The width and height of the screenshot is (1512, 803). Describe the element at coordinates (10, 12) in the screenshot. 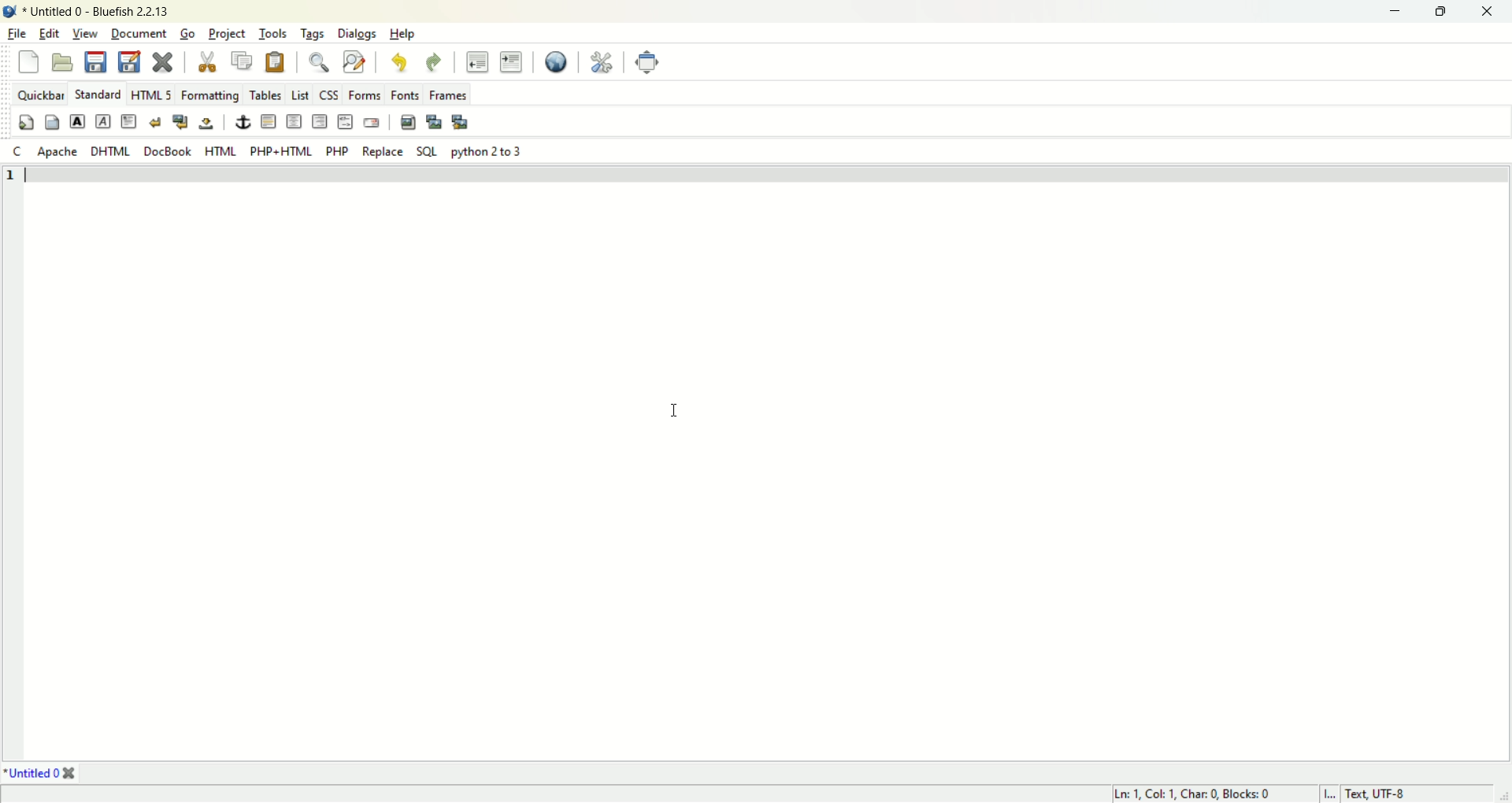

I see `applciation icon` at that location.